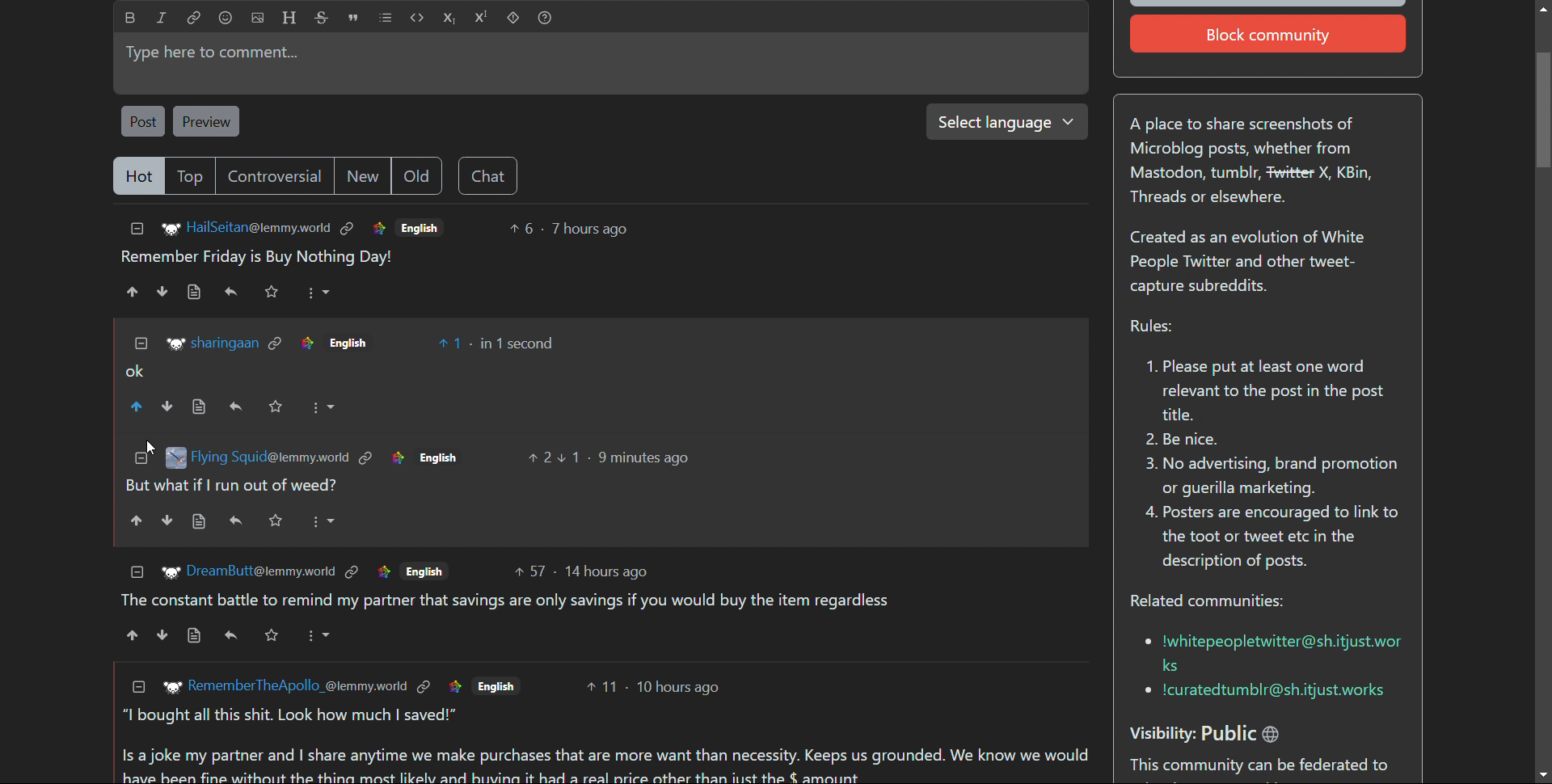  What do you see at coordinates (1264, 767) in the screenshot?
I see `This community can be federated to` at bounding box center [1264, 767].